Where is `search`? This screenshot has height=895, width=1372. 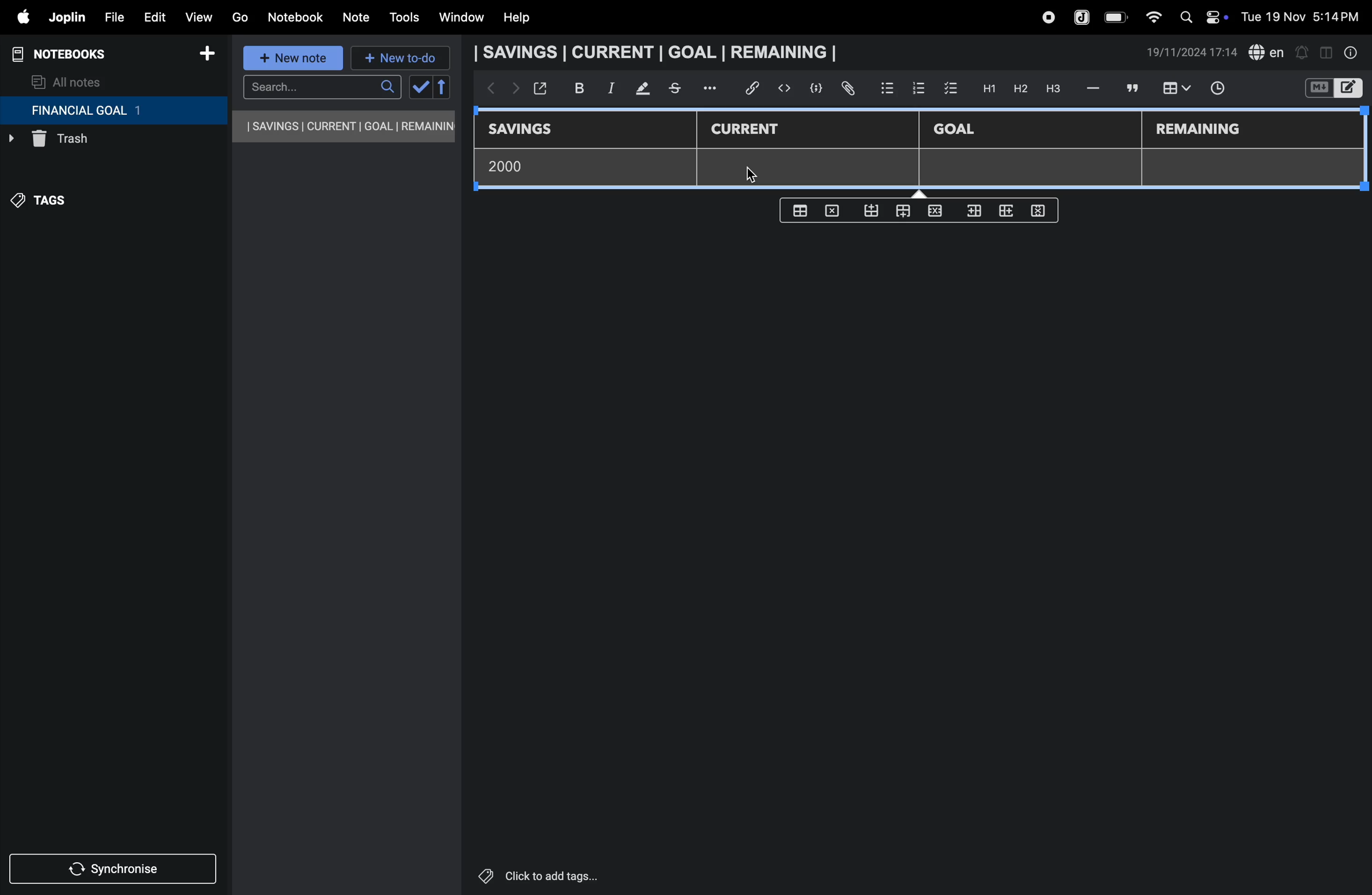 search is located at coordinates (322, 87).